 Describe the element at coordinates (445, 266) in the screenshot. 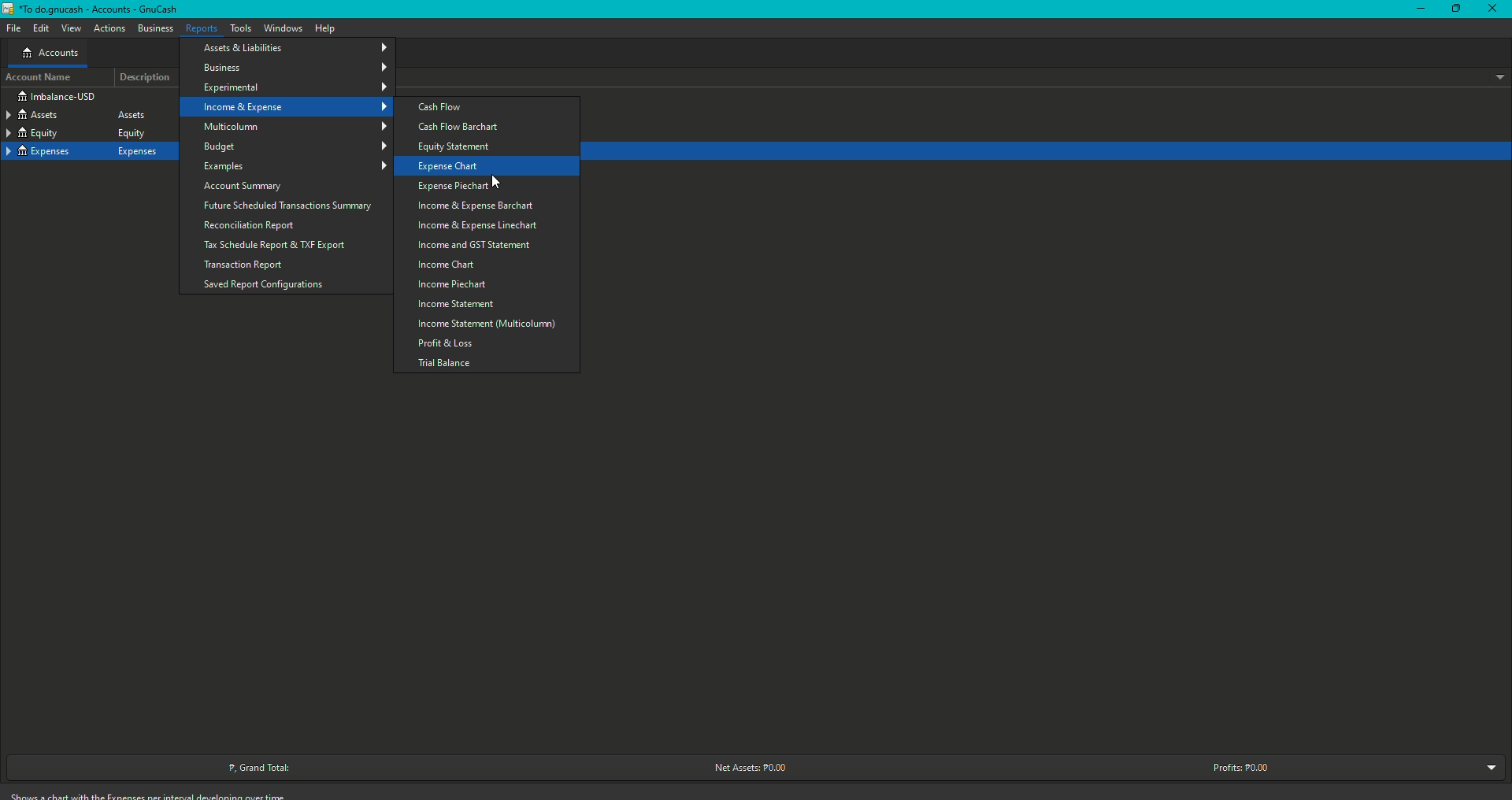

I see `Income Chart` at that location.